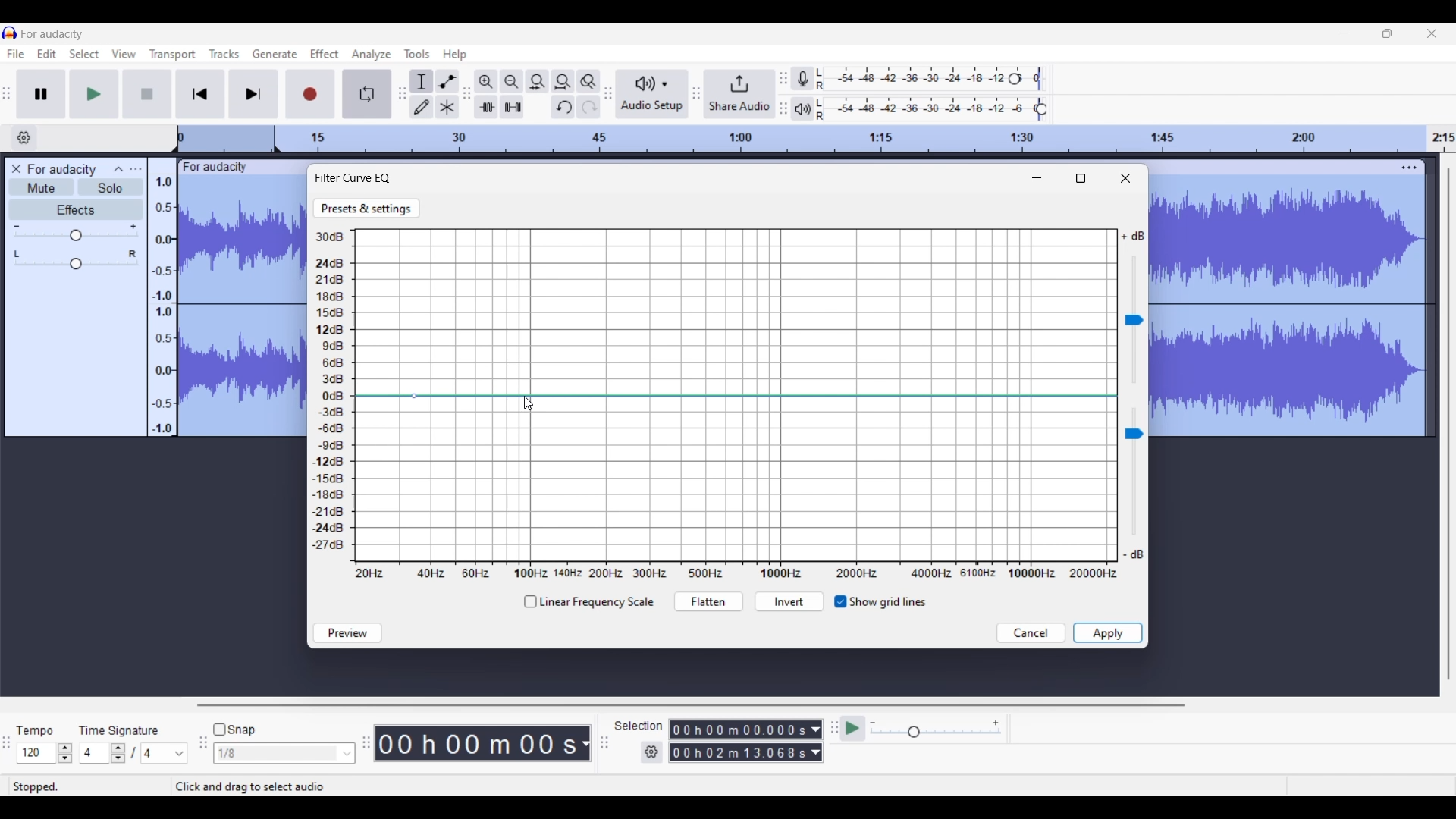 This screenshot has width=1456, height=819. Describe the element at coordinates (454, 55) in the screenshot. I see `Help menu` at that location.